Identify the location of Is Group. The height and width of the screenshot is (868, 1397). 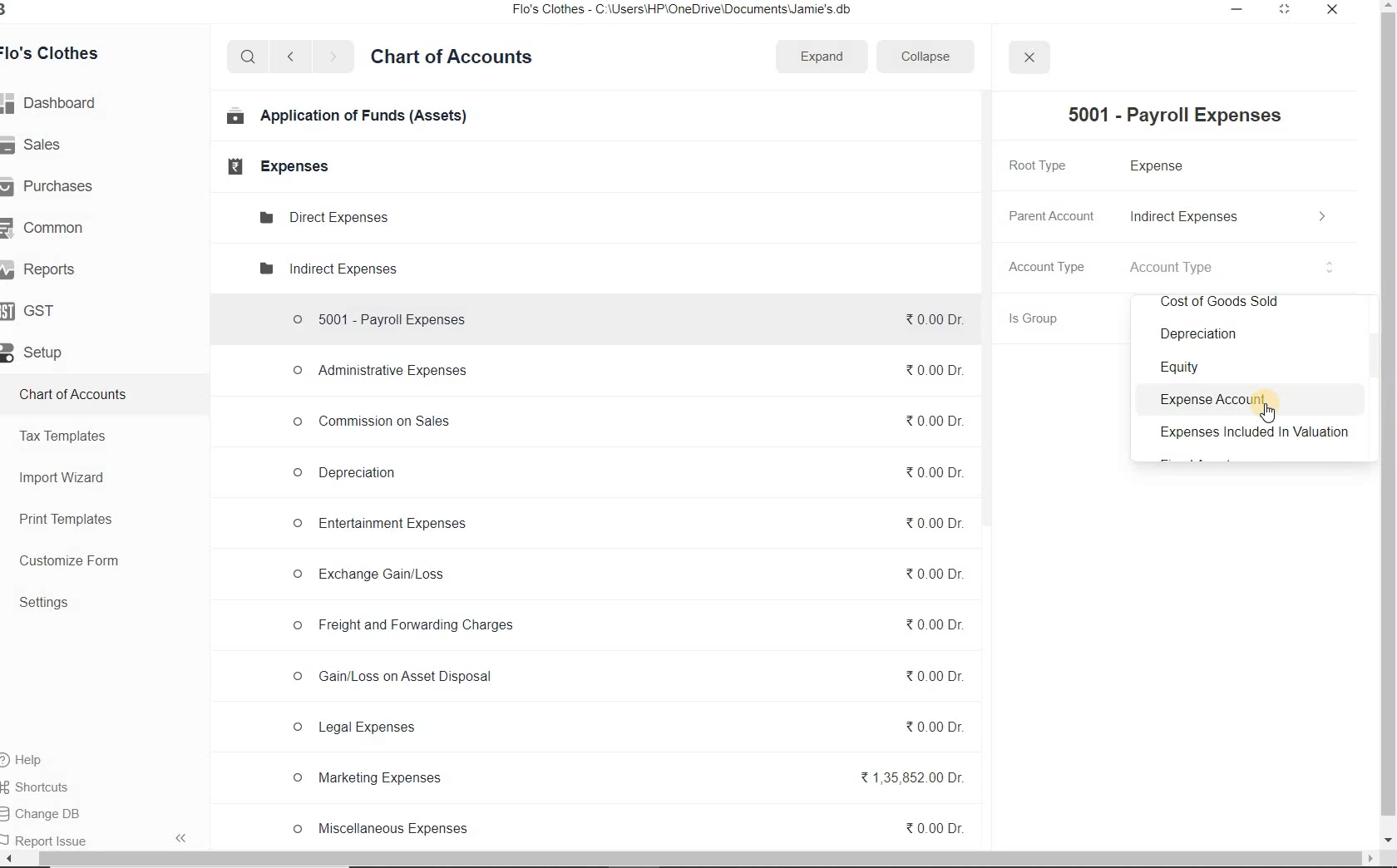
(1047, 318).